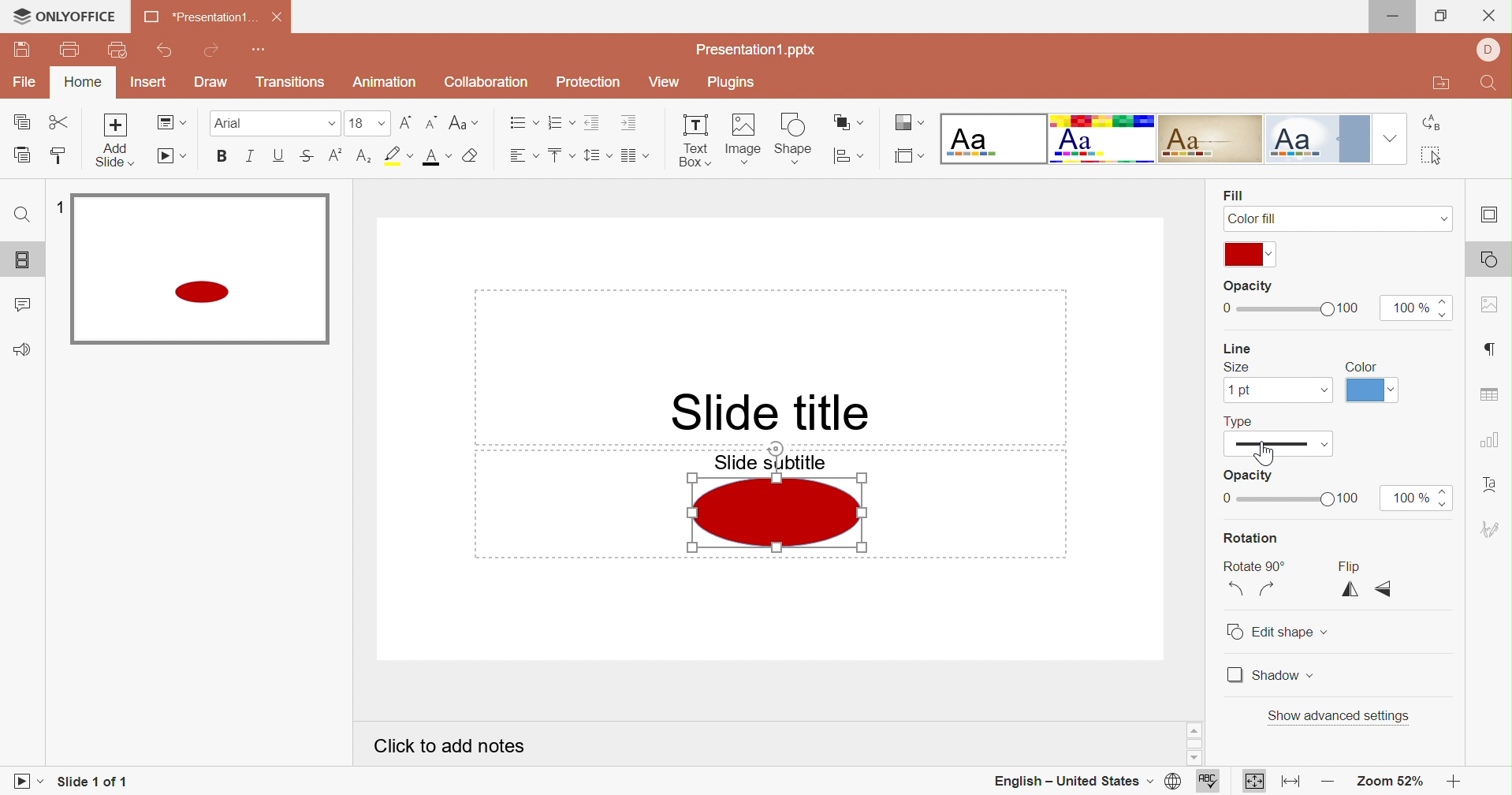  Describe the element at coordinates (1246, 475) in the screenshot. I see `Opacity` at that location.